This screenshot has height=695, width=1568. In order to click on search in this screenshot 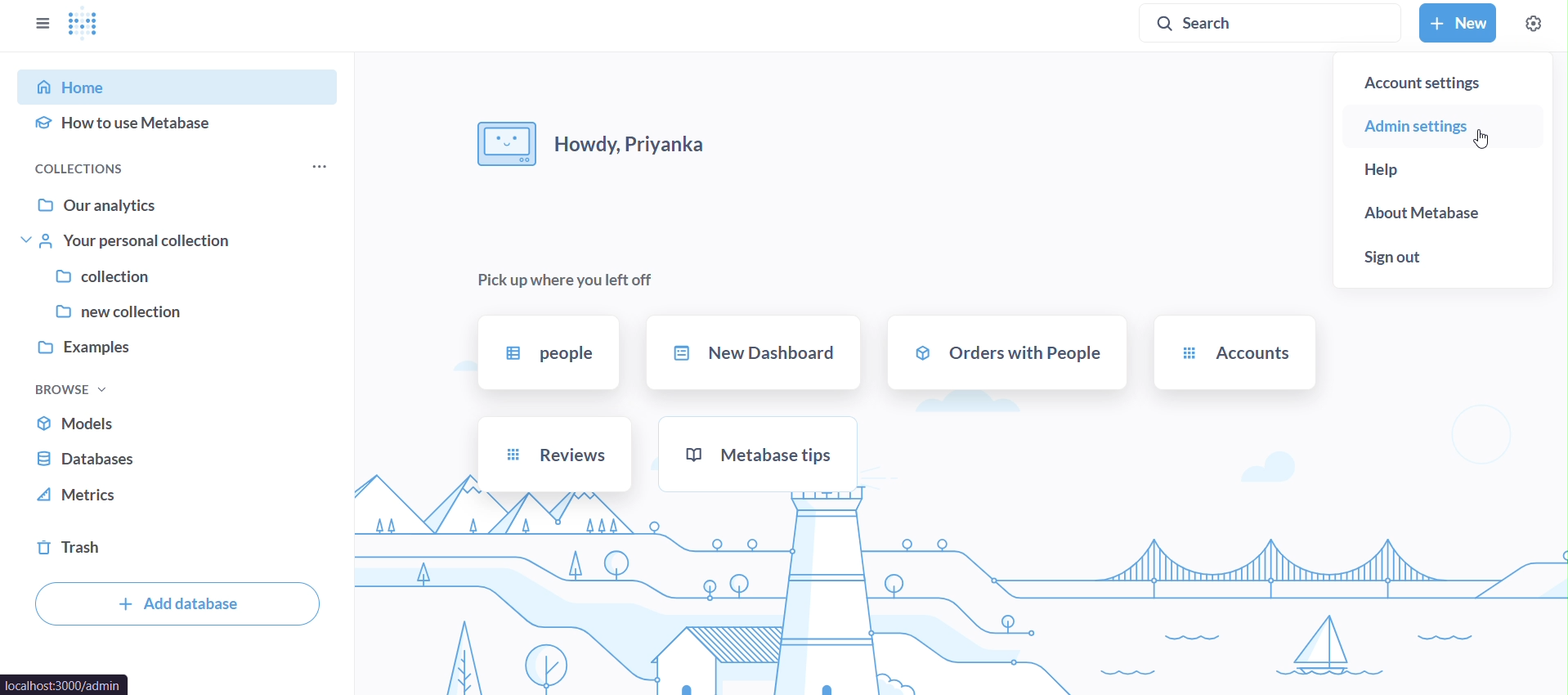, I will do `click(1270, 25)`.